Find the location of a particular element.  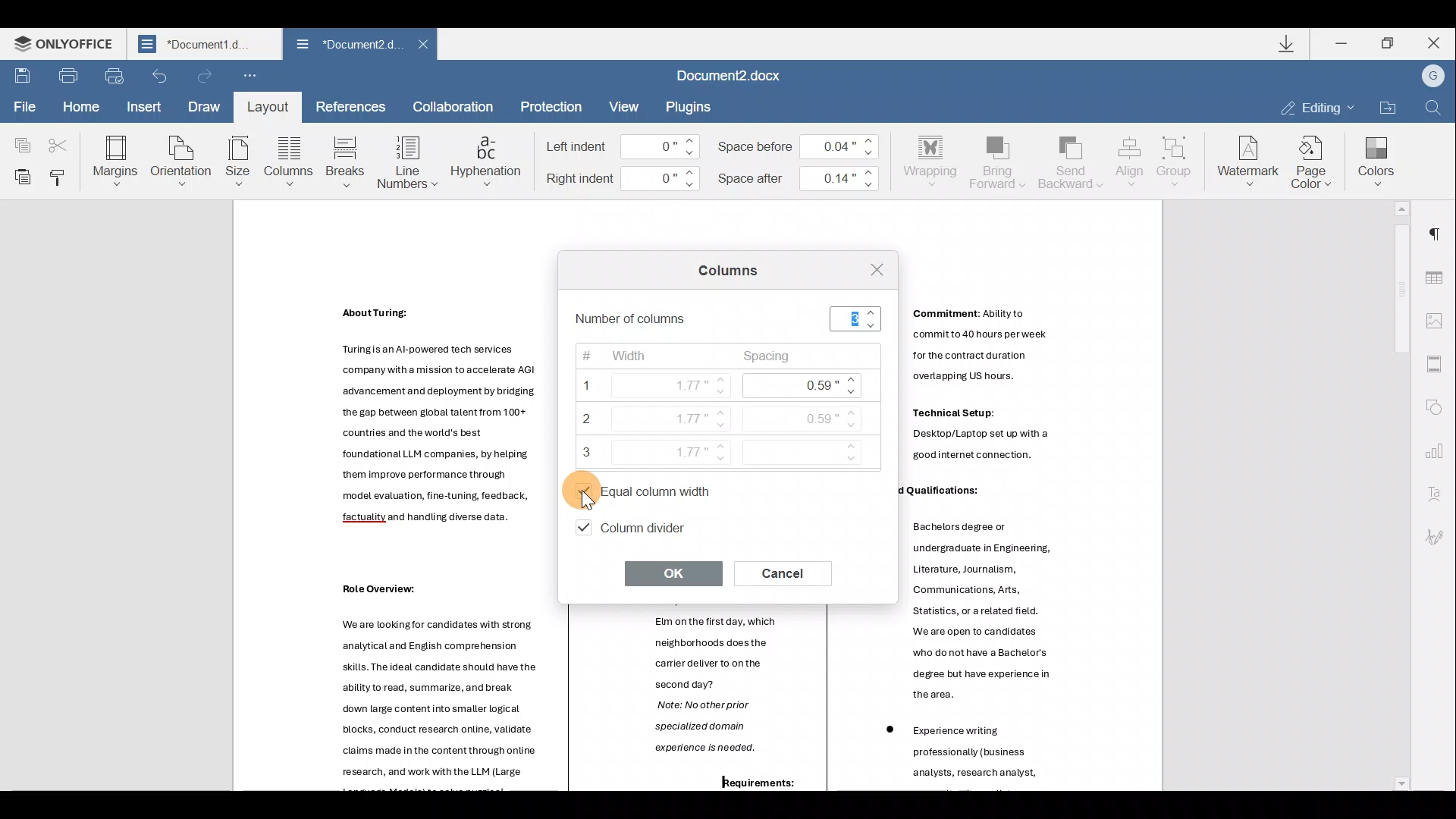

Redo is located at coordinates (206, 77).